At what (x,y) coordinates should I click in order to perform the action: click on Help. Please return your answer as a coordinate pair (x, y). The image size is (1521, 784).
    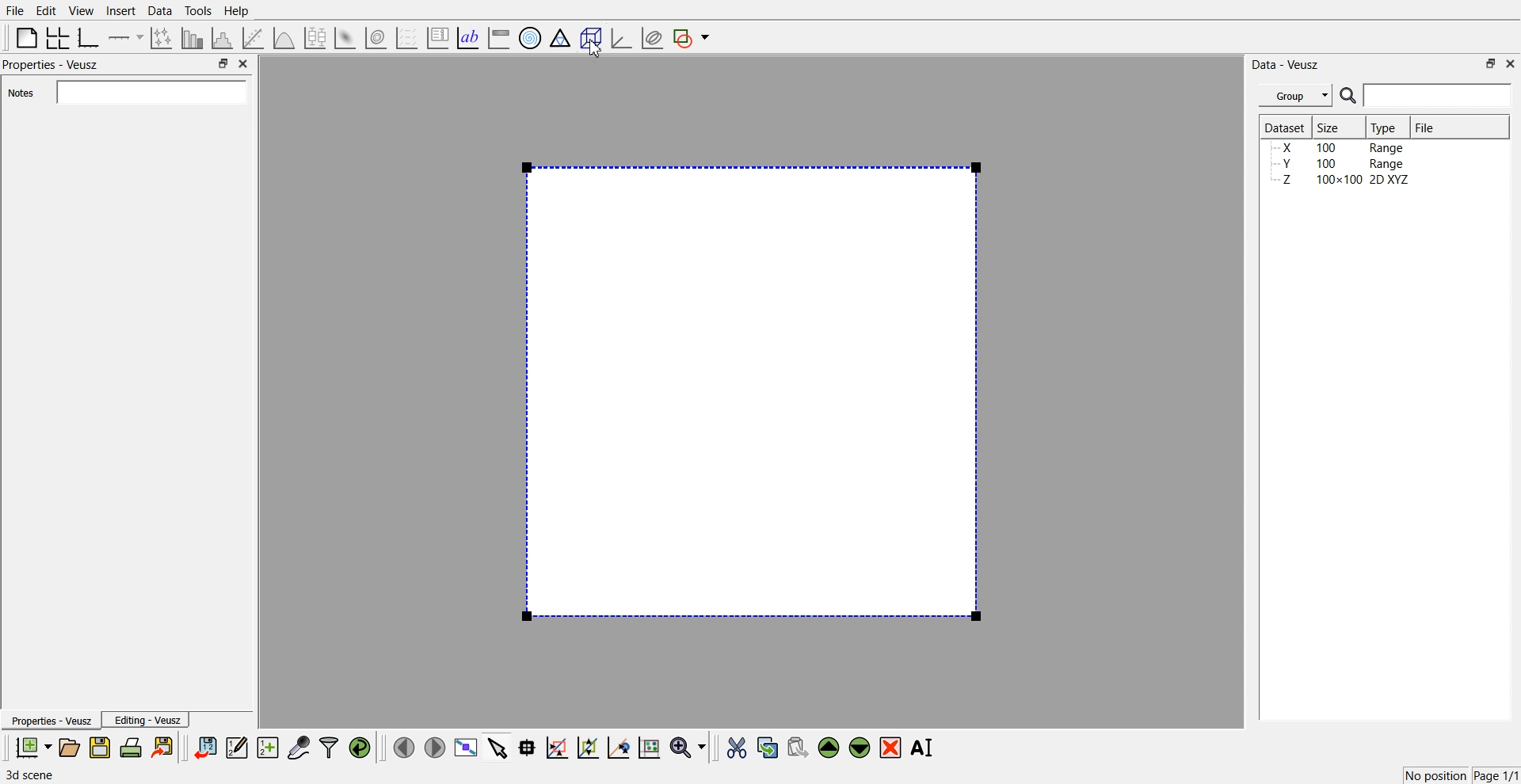
    Looking at the image, I should click on (237, 11).